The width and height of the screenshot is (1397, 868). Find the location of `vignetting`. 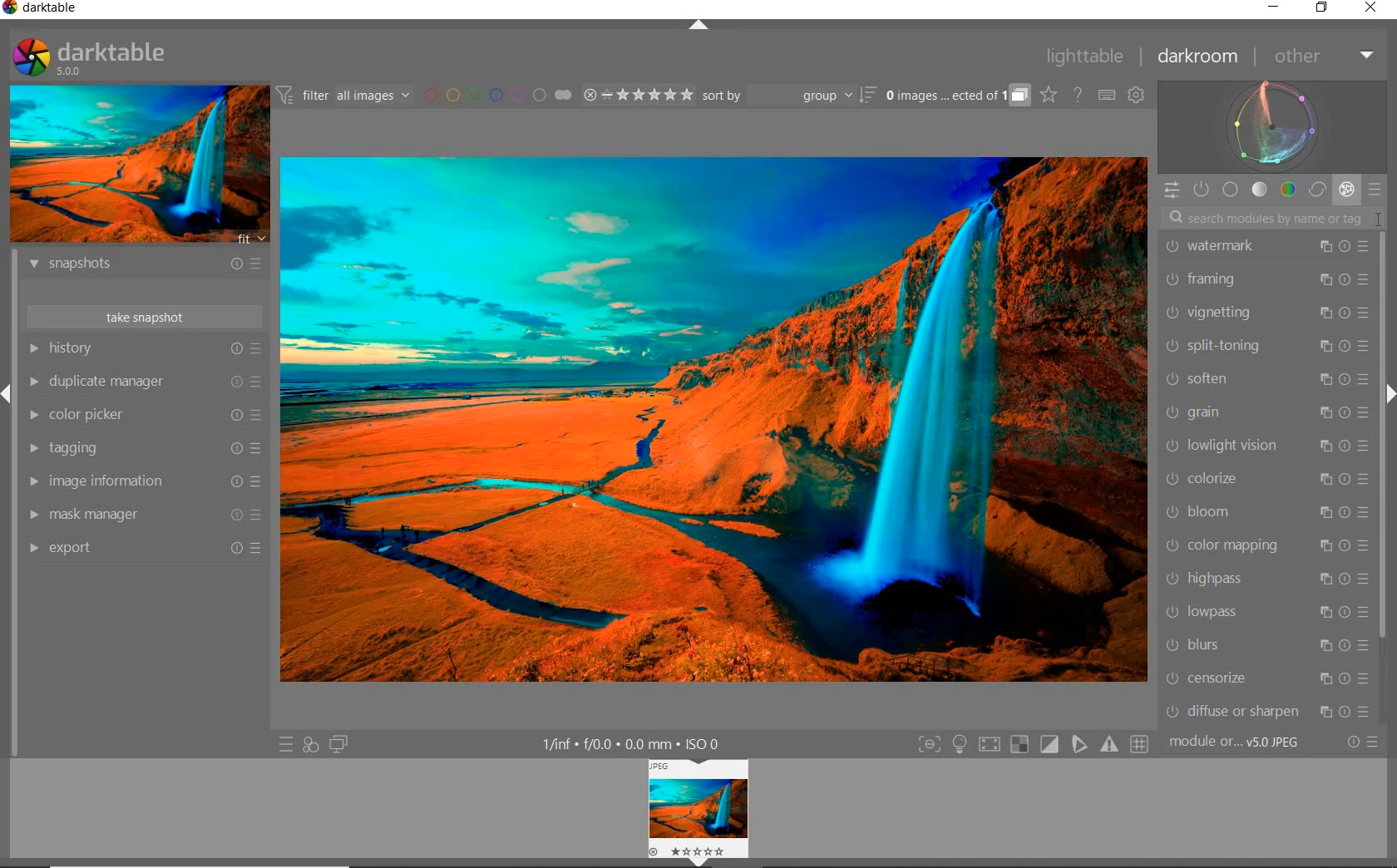

vignetting is located at coordinates (1268, 313).